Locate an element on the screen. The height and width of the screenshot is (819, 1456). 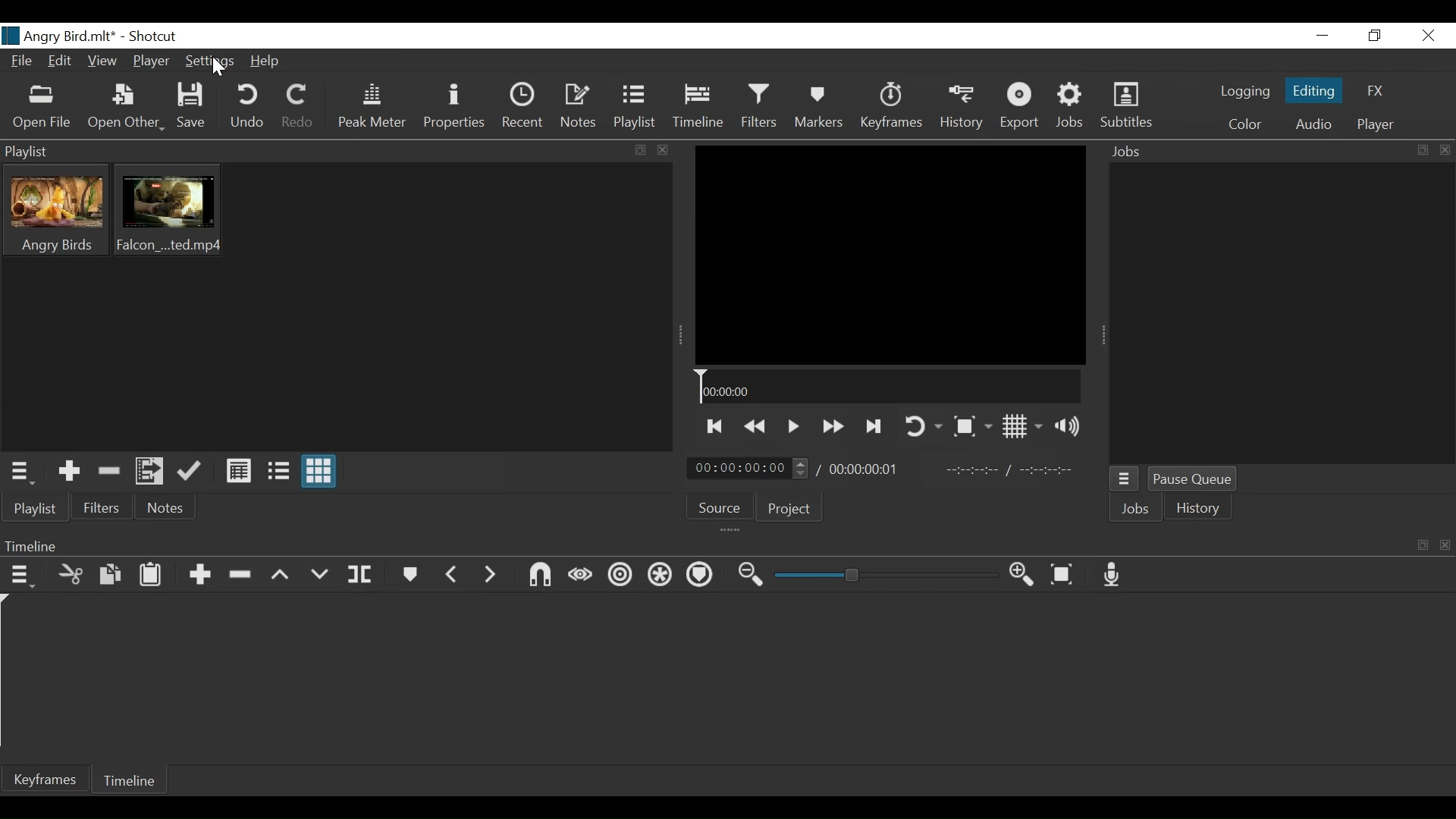
Skip to the previous point is located at coordinates (716, 428).